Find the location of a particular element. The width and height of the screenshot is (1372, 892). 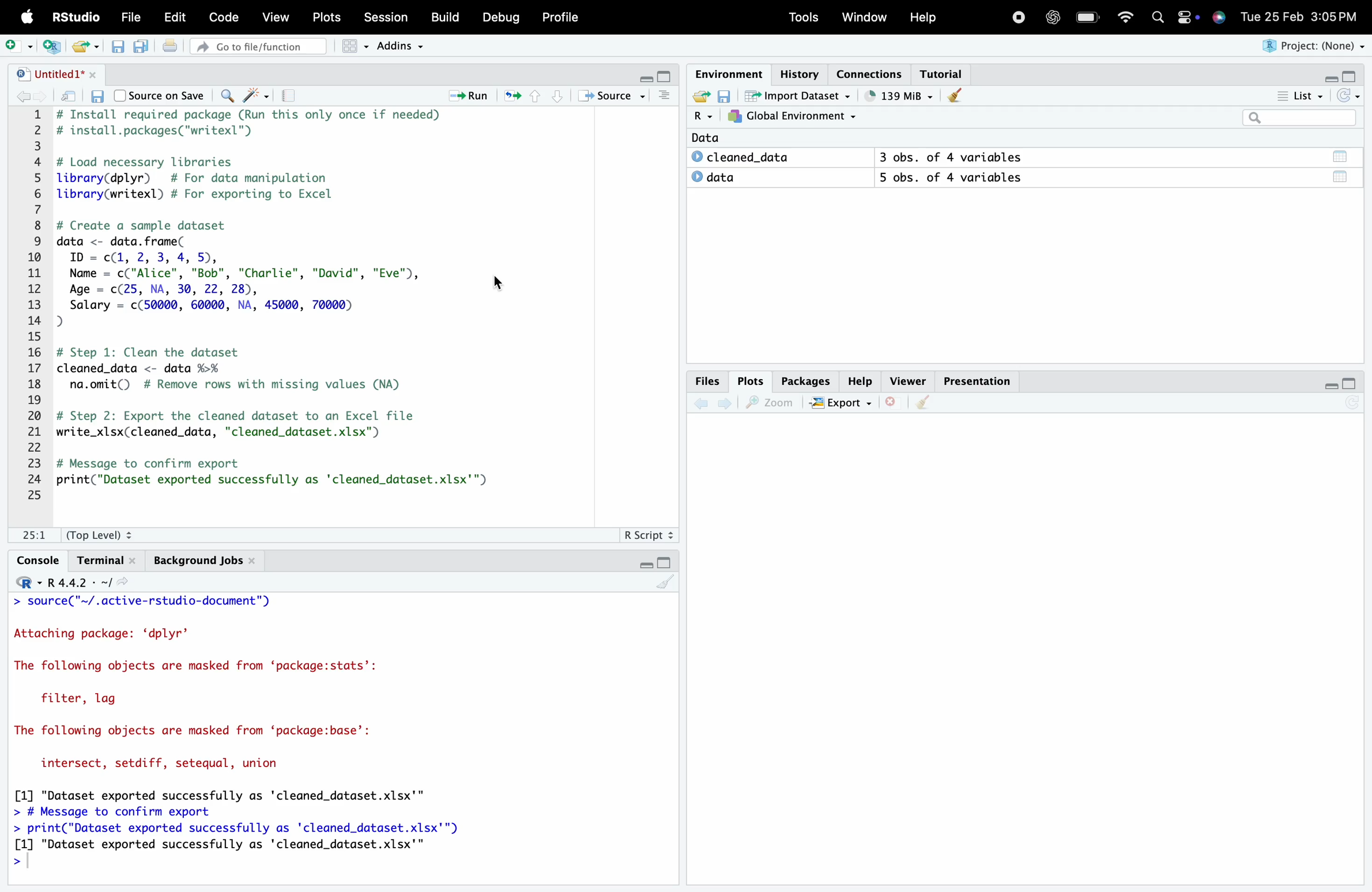

R is located at coordinates (705, 117).